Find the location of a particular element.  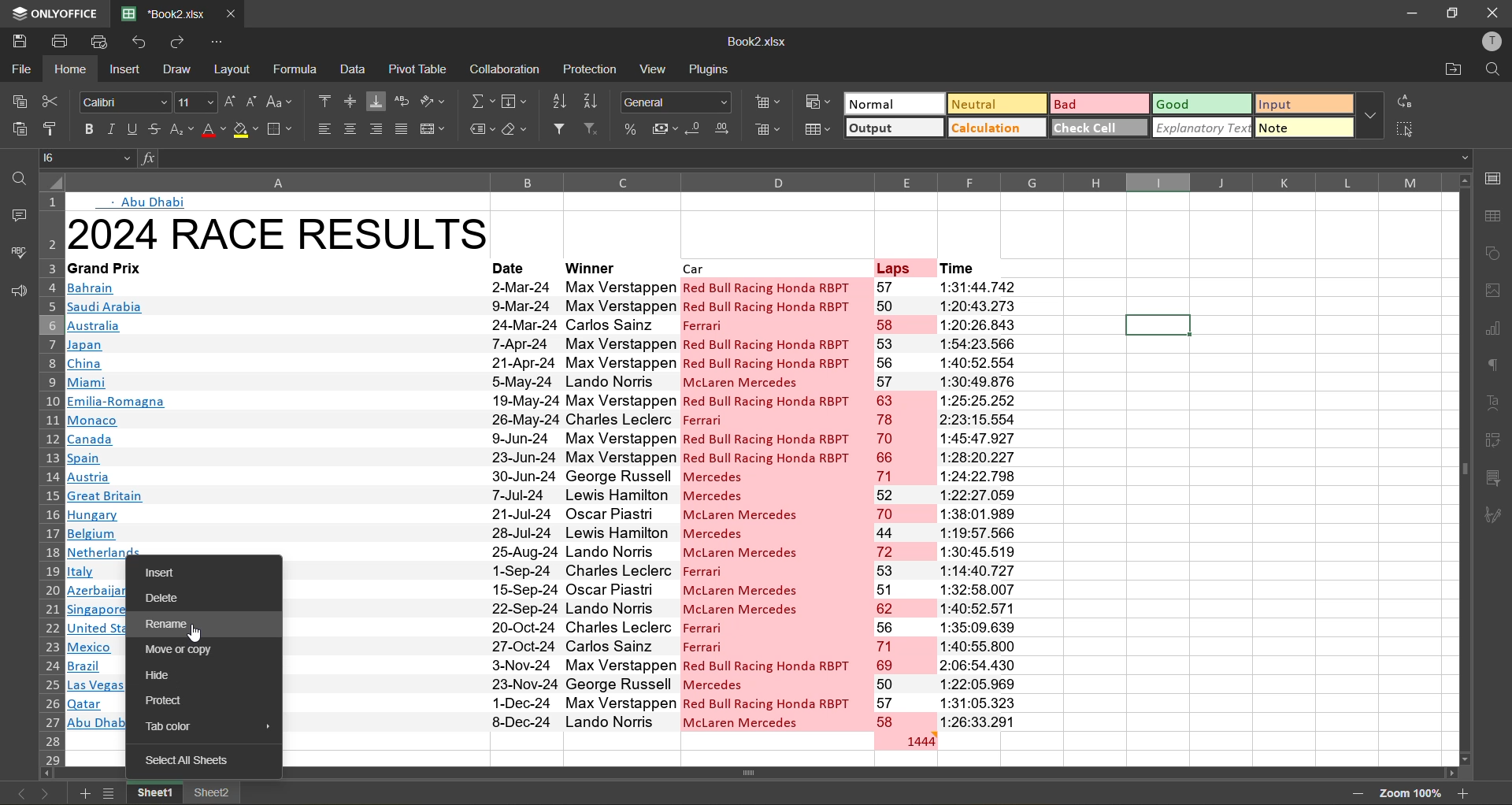

find is located at coordinates (16, 173).